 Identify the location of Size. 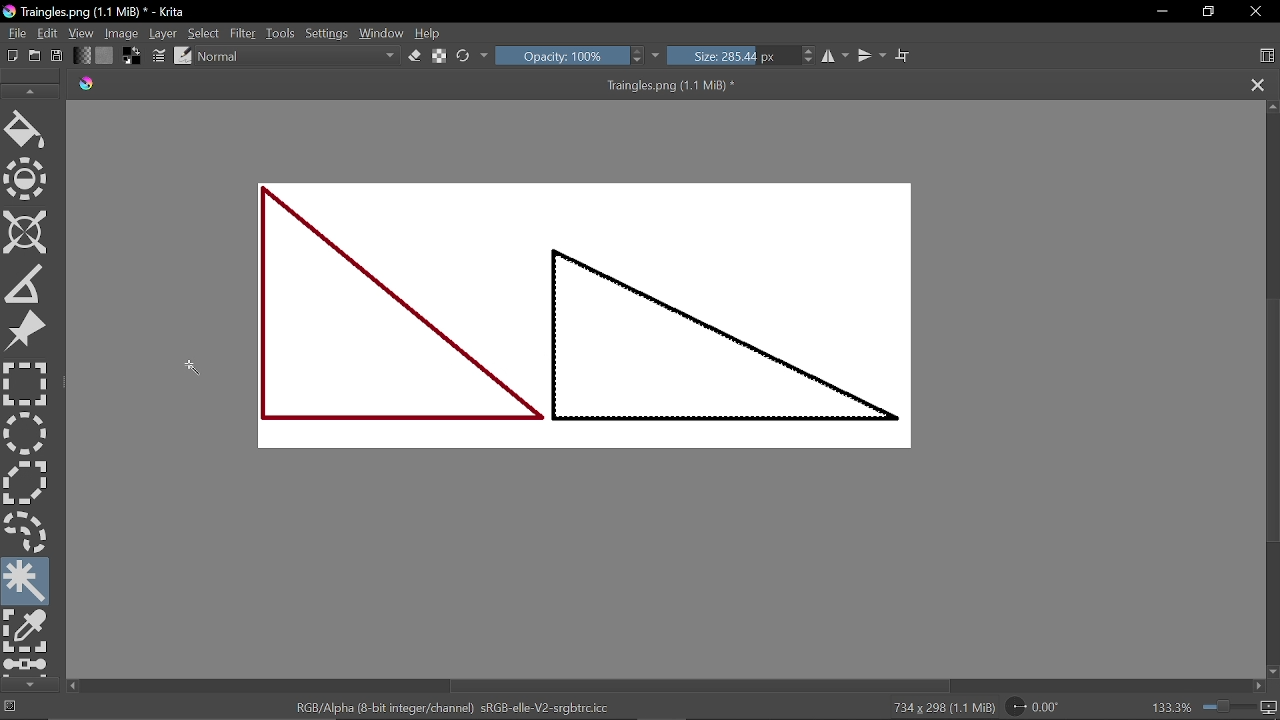
(731, 55).